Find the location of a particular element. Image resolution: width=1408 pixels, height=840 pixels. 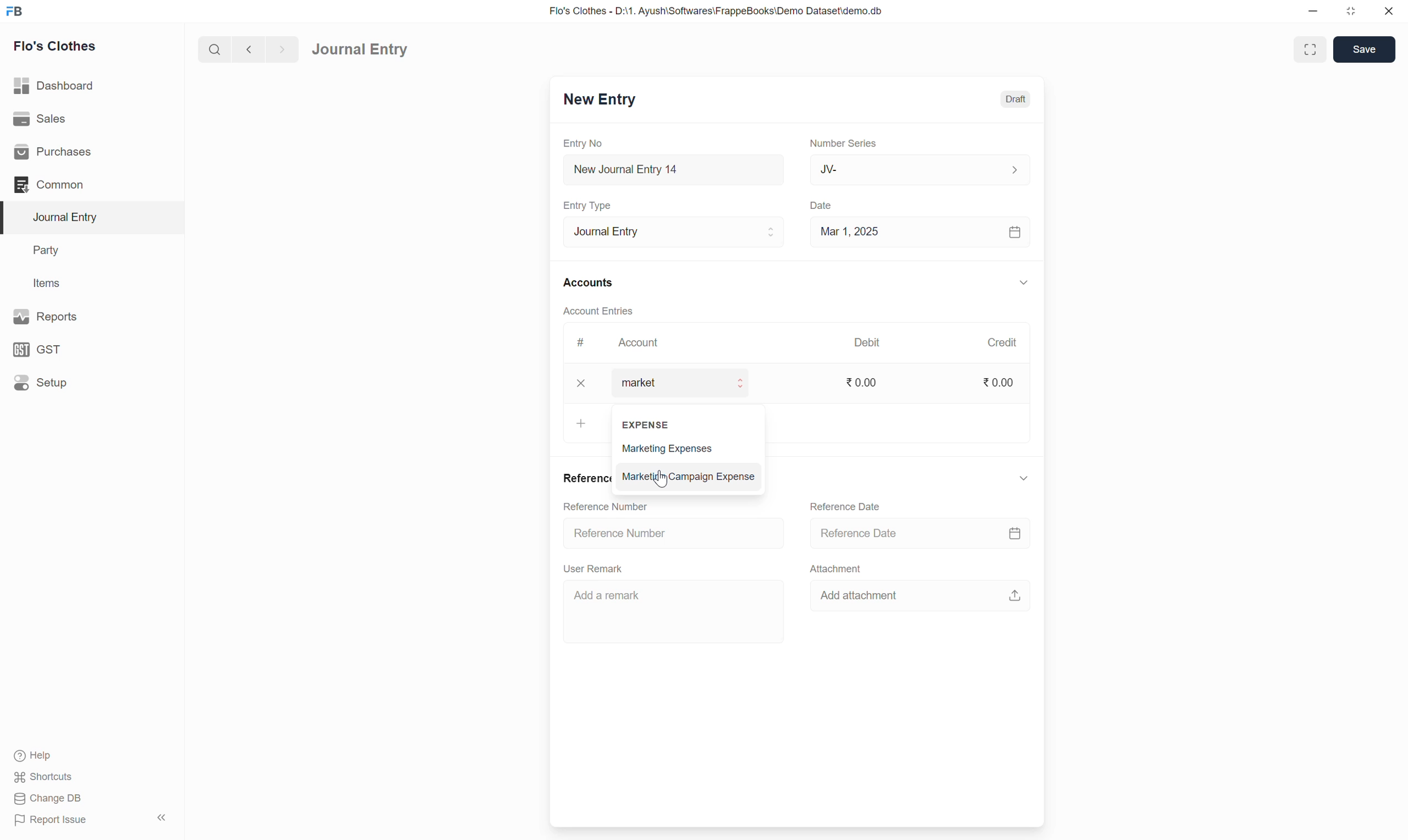

back is located at coordinates (246, 49).